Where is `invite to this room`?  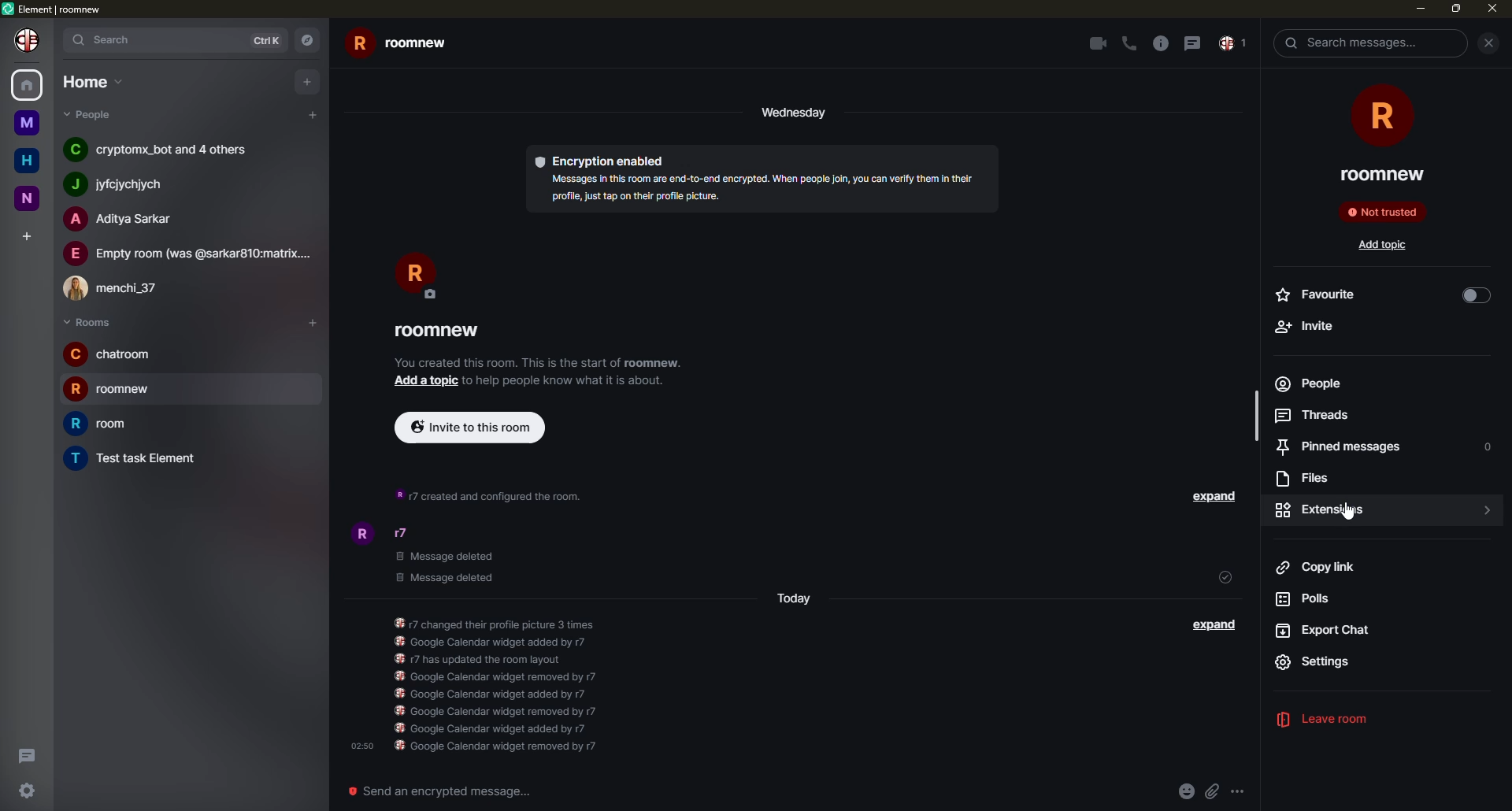
invite to this room is located at coordinates (466, 426).